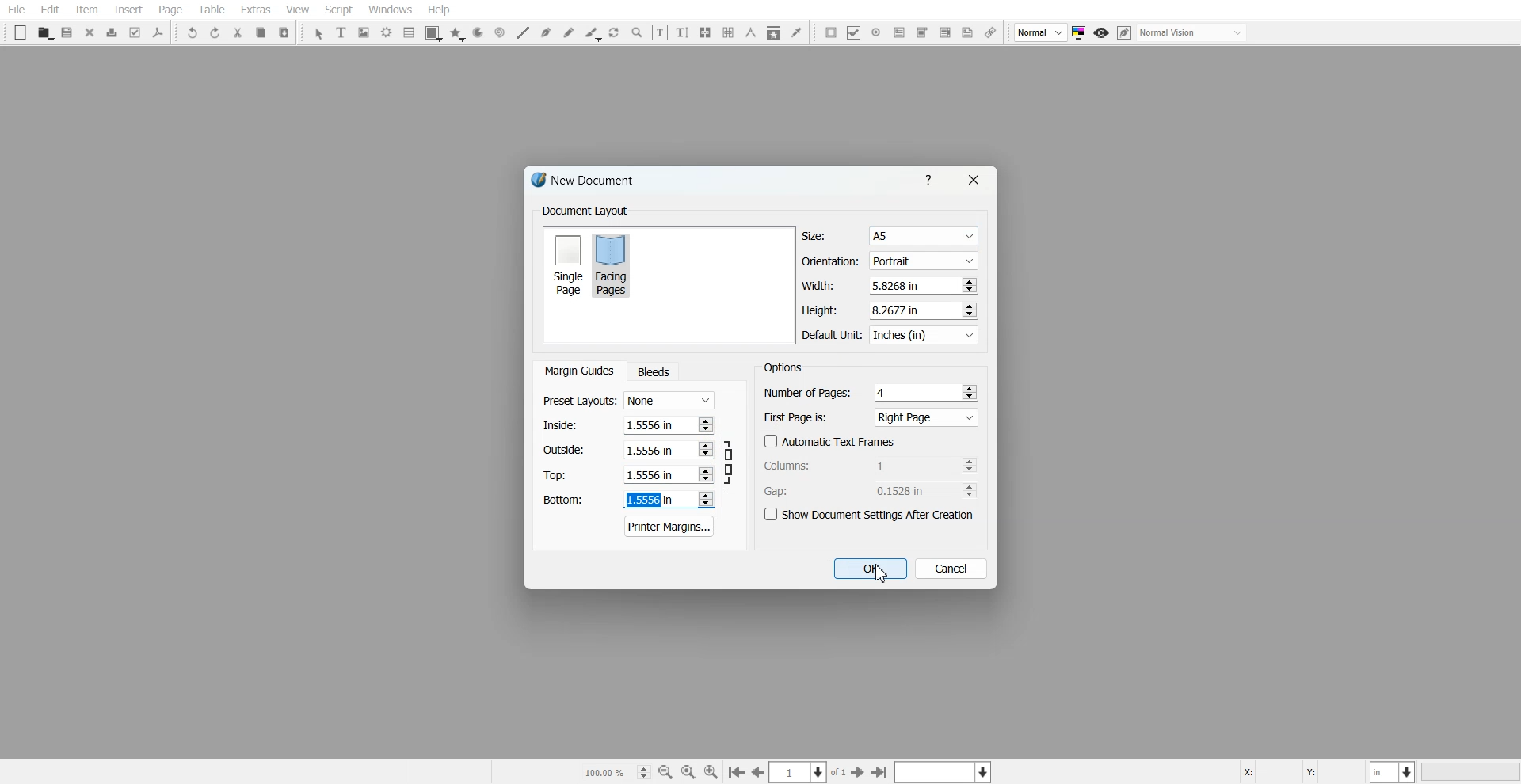  Describe the element at coordinates (736, 773) in the screenshot. I see `Go to the first page` at that location.